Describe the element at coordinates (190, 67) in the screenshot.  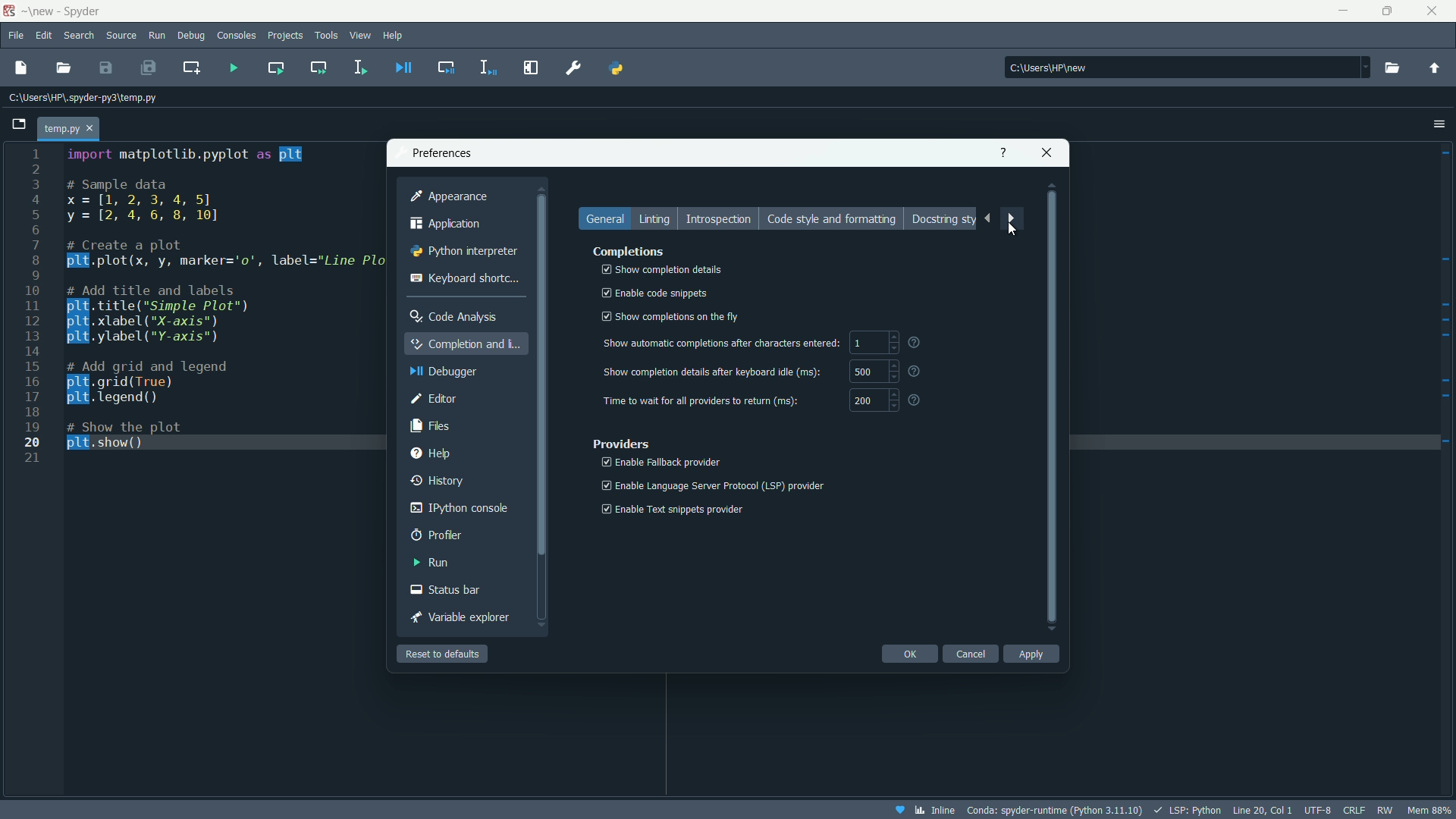
I see `add cell to current line` at that location.